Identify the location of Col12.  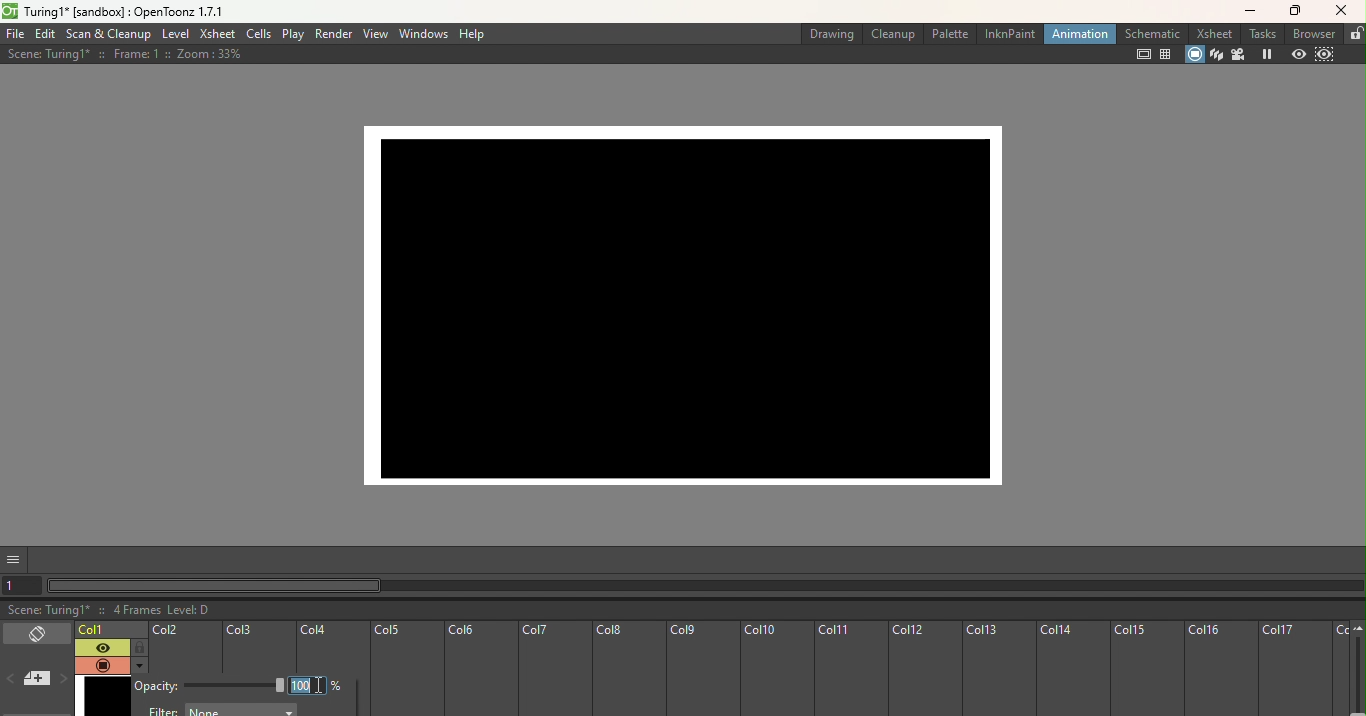
(925, 669).